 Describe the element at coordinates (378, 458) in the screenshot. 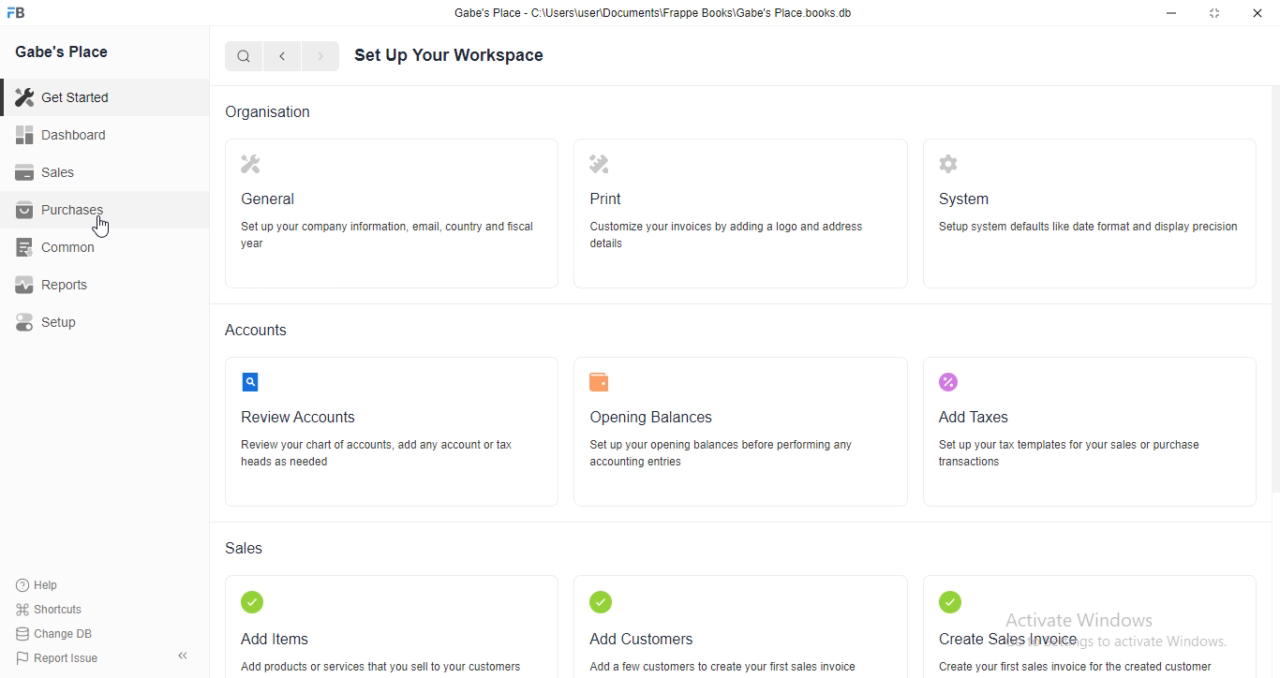

I see `Review your chart of accounts, add any account or tax
heads as needed` at that location.